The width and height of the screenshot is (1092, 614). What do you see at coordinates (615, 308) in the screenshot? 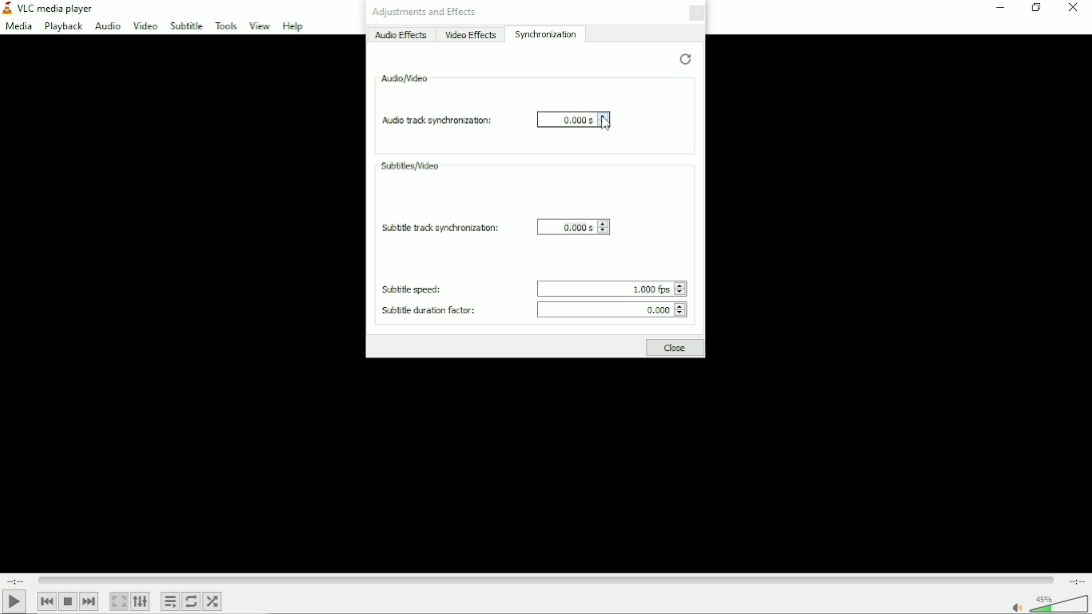
I see `0.000` at bounding box center [615, 308].